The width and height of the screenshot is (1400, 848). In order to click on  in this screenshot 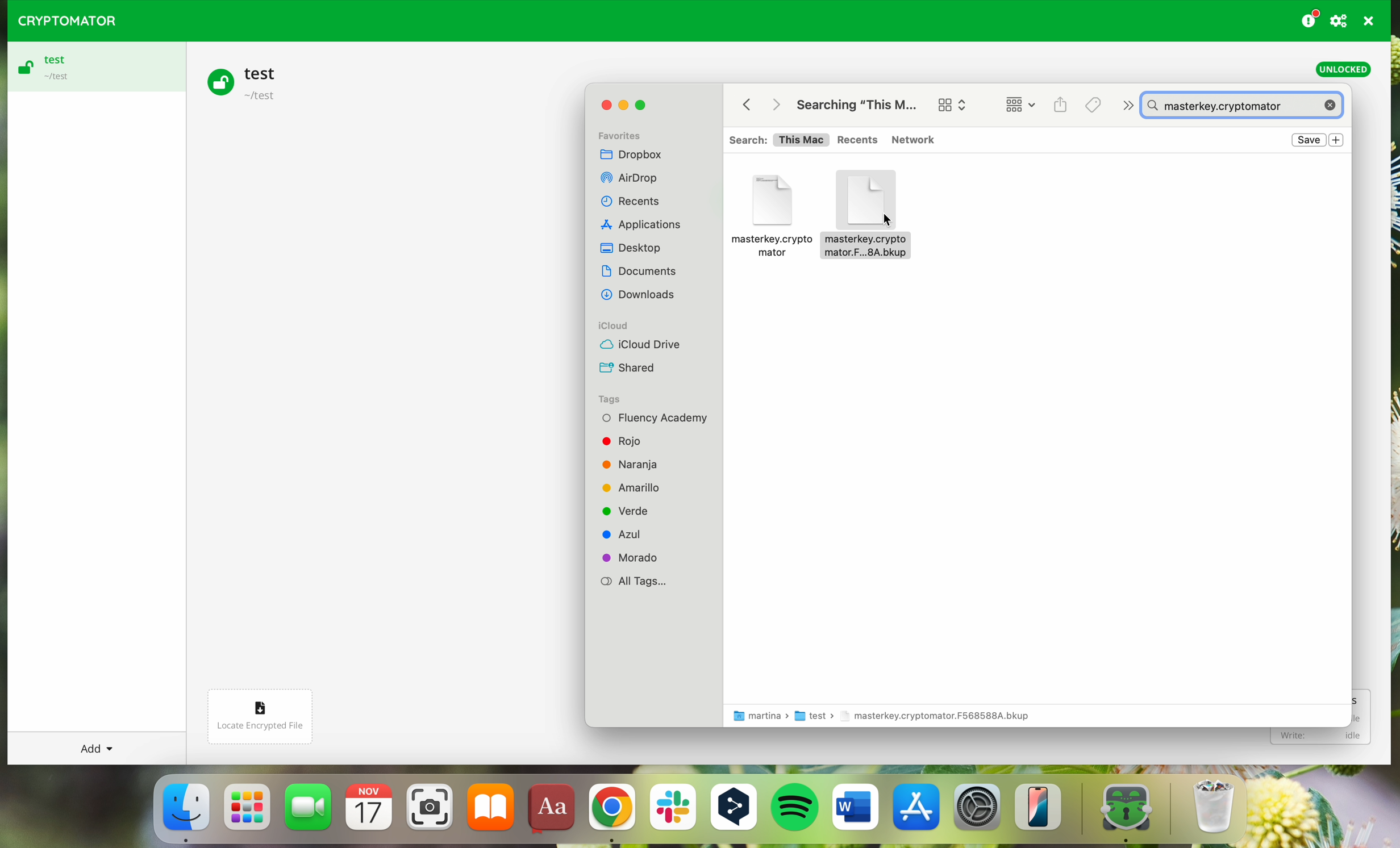, I will do `click(643, 271)`.